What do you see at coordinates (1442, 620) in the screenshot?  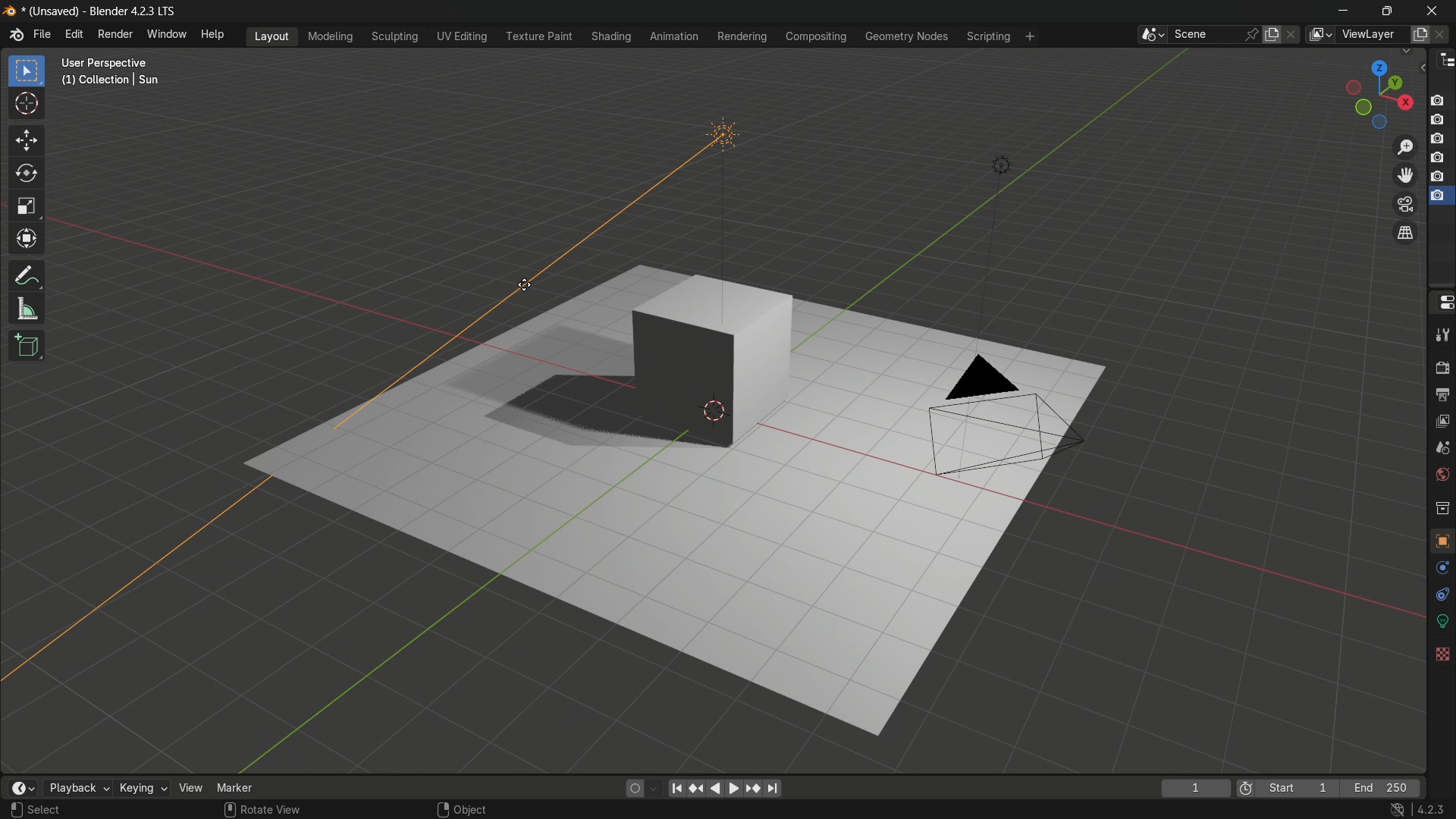 I see `data` at bounding box center [1442, 620].